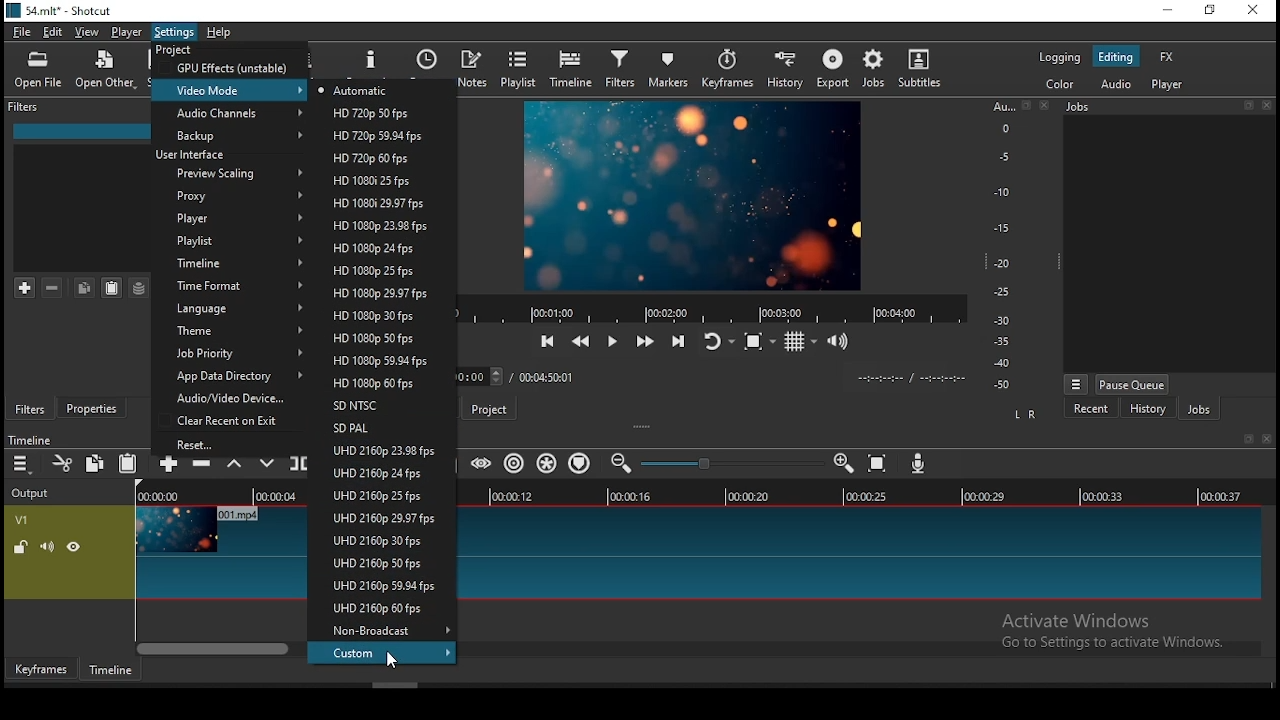 Image resolution: width=1280 pixels, height=720 pixels. What do you see at coordinates (26, 107) in the screenshot?
I see `Filter` at bounding box center [26, 107].